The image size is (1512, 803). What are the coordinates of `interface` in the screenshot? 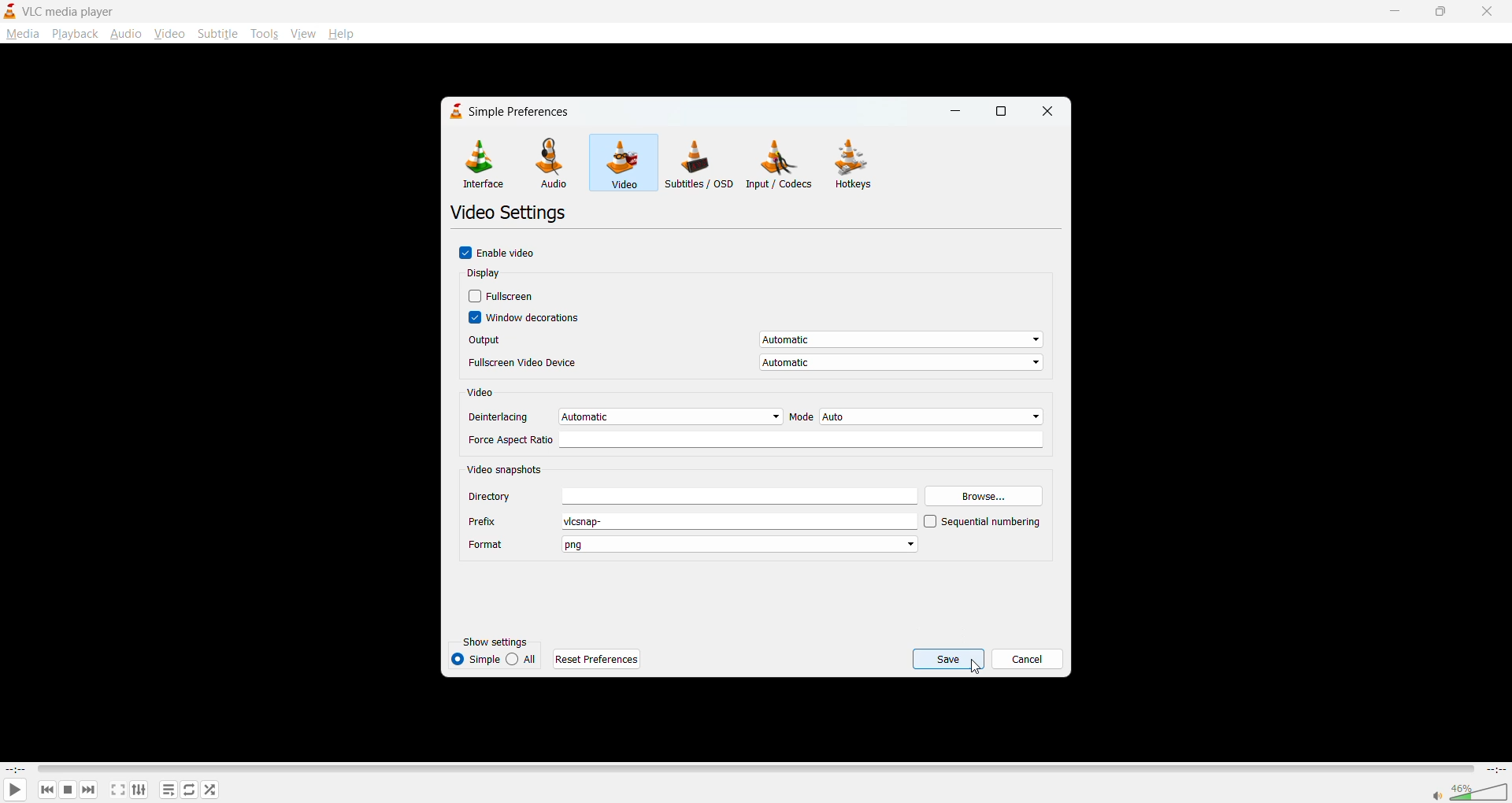 It's located at (482, 165).